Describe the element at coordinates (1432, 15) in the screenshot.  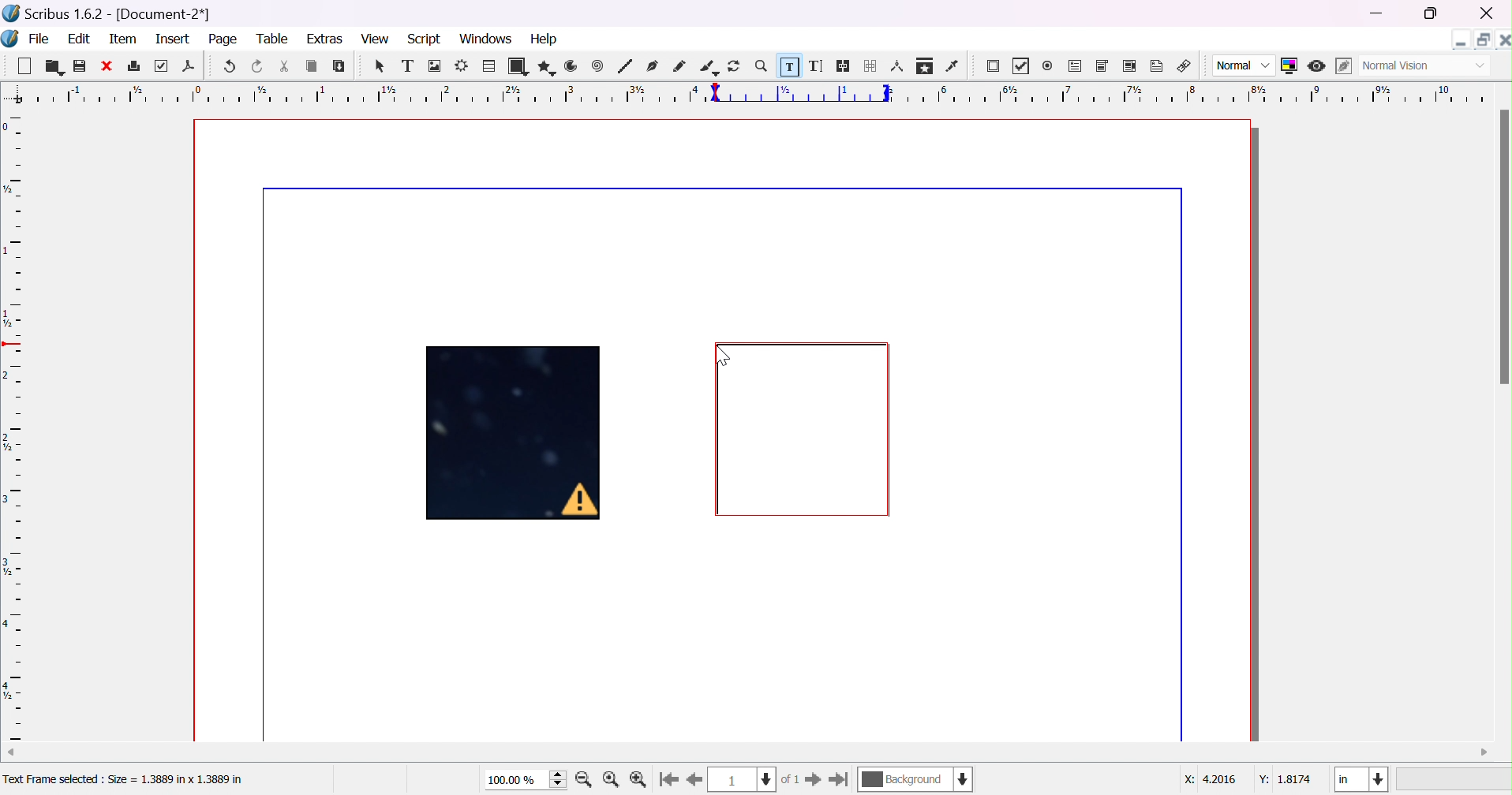
I see `restore down` at that location.